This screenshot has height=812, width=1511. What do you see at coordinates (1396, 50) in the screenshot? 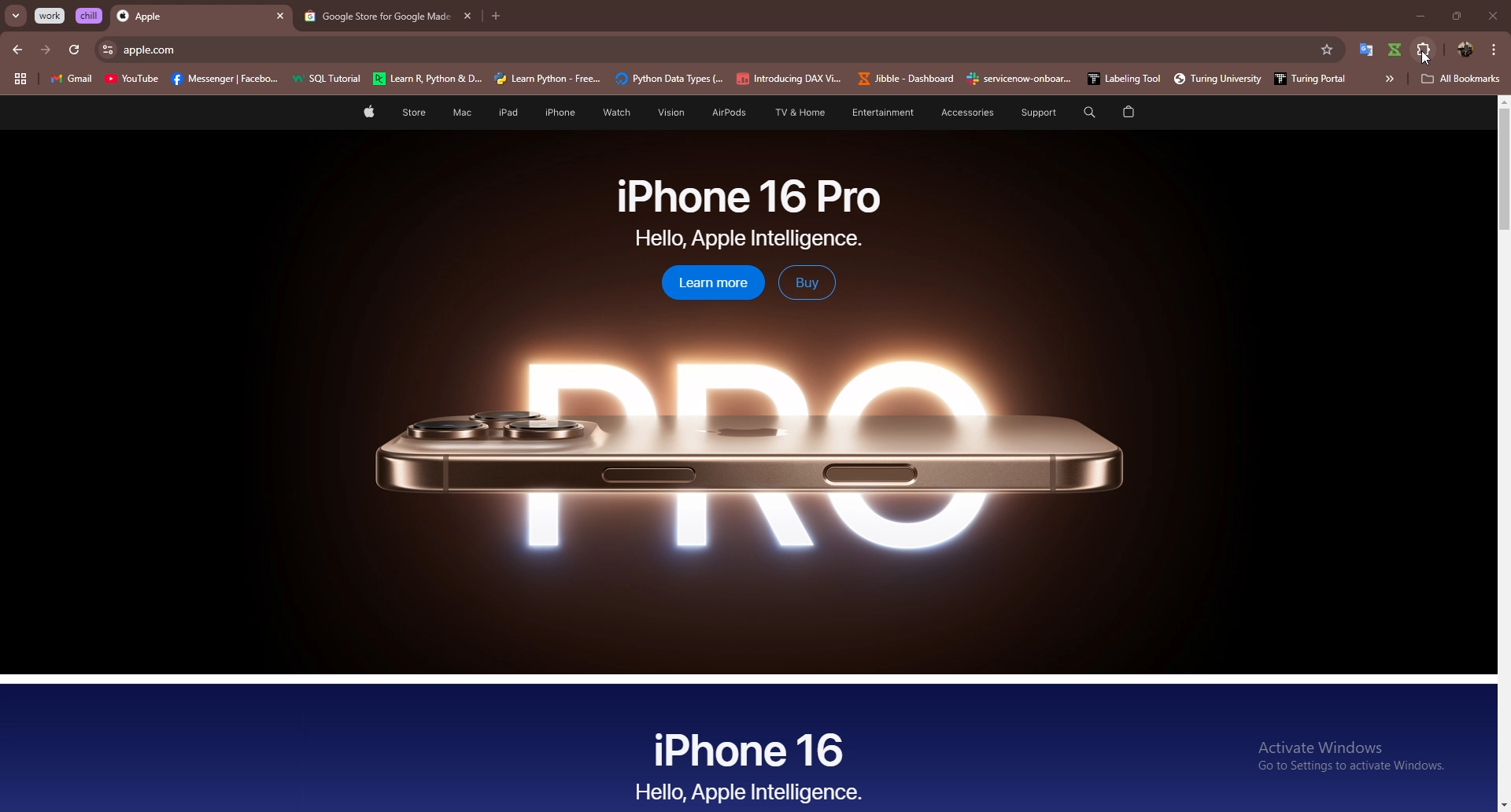
I see `jibble ` at bounding box center [1396, 50].